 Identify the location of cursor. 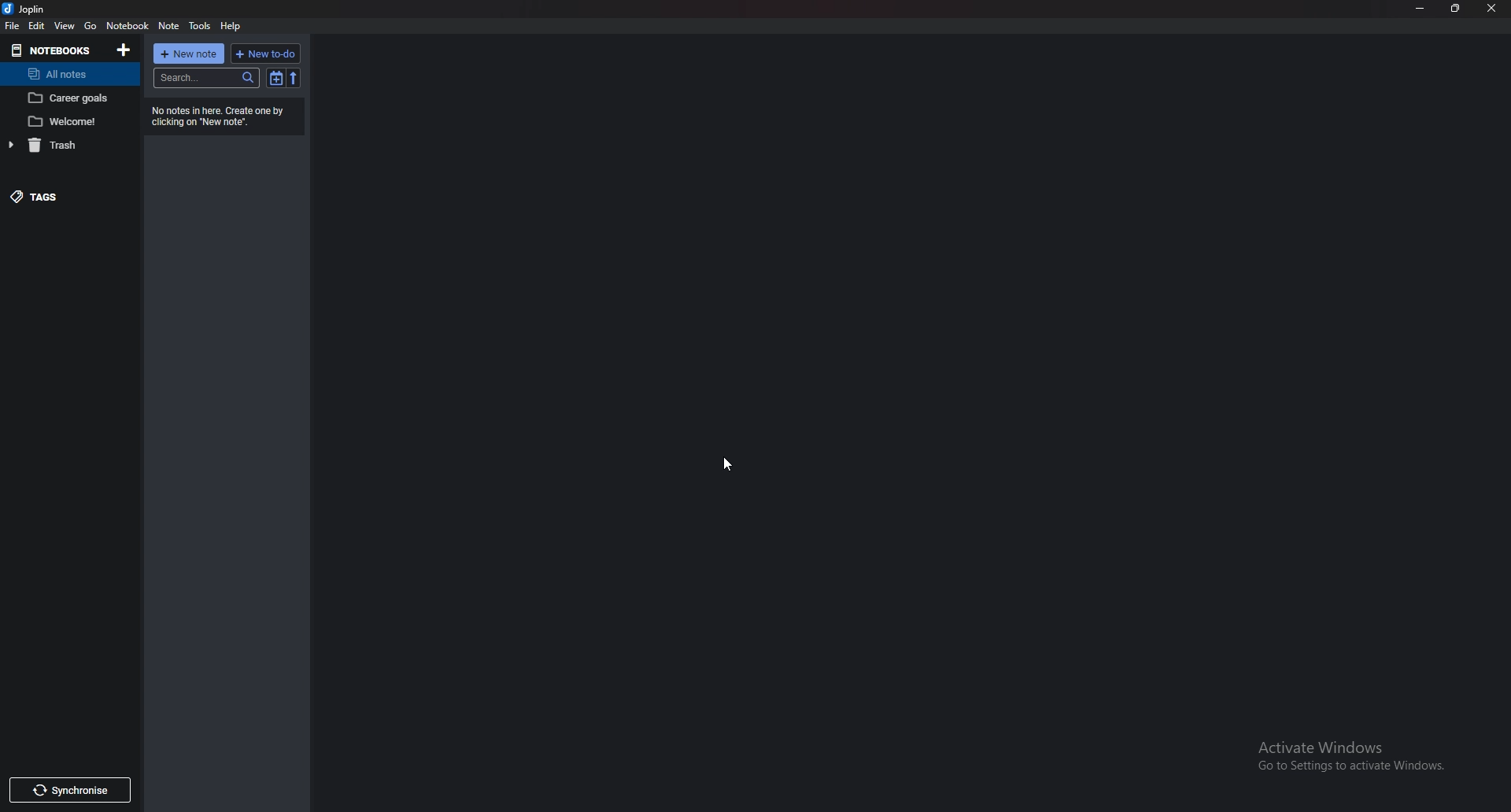
(729, 465).